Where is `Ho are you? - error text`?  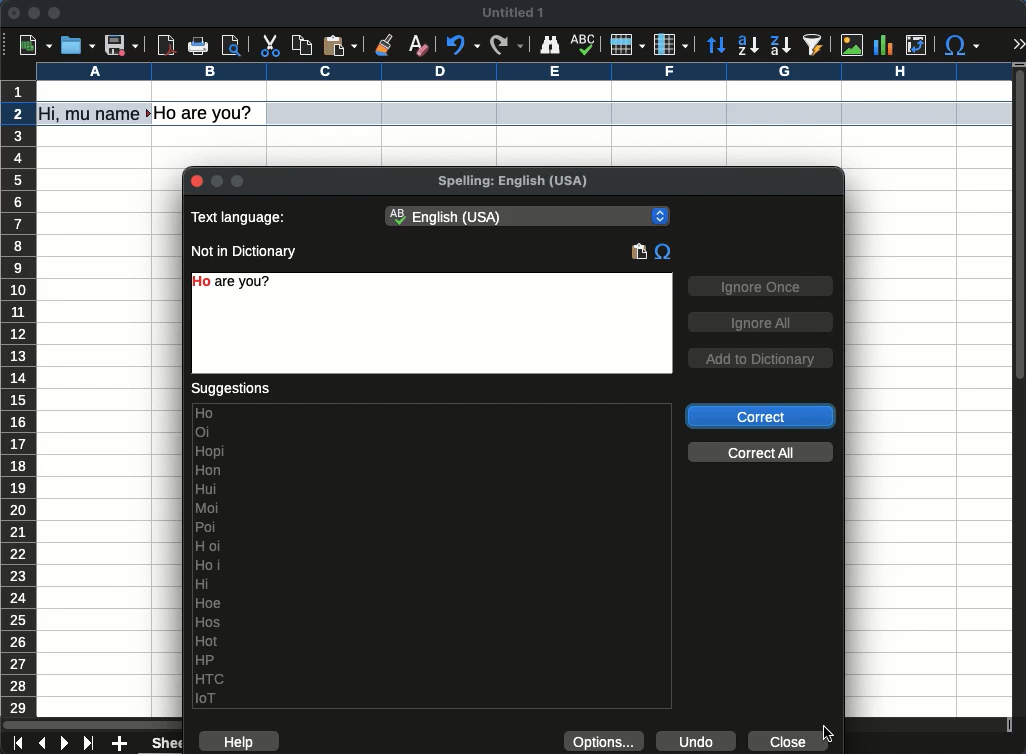
Ho are you? - error text is located at coordinates (244, 282).